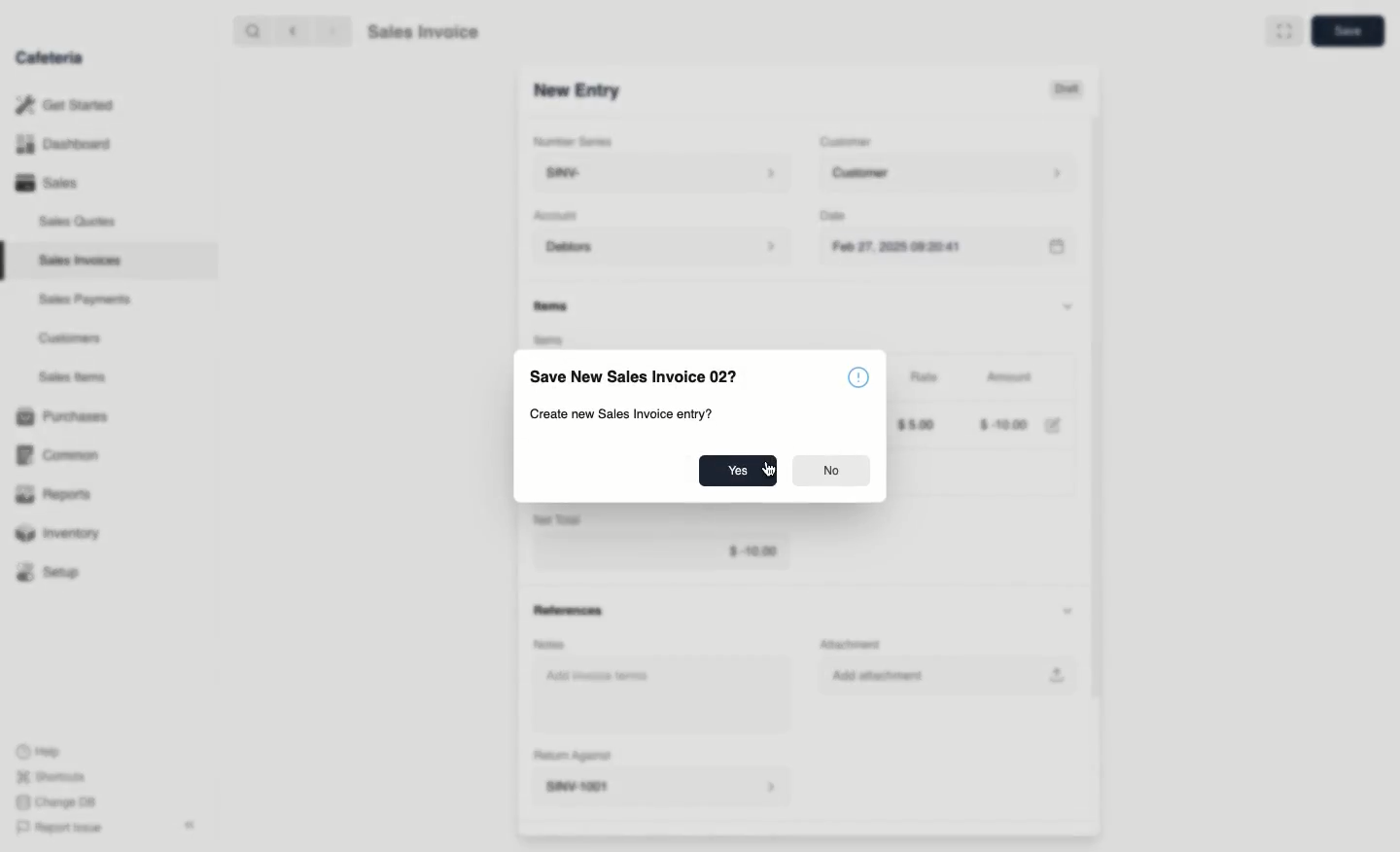 This screenshot has width=1400, height=852. Describe the element at coordinates (577, 90) in the screenshot. I see `SINV-1001` at that location.